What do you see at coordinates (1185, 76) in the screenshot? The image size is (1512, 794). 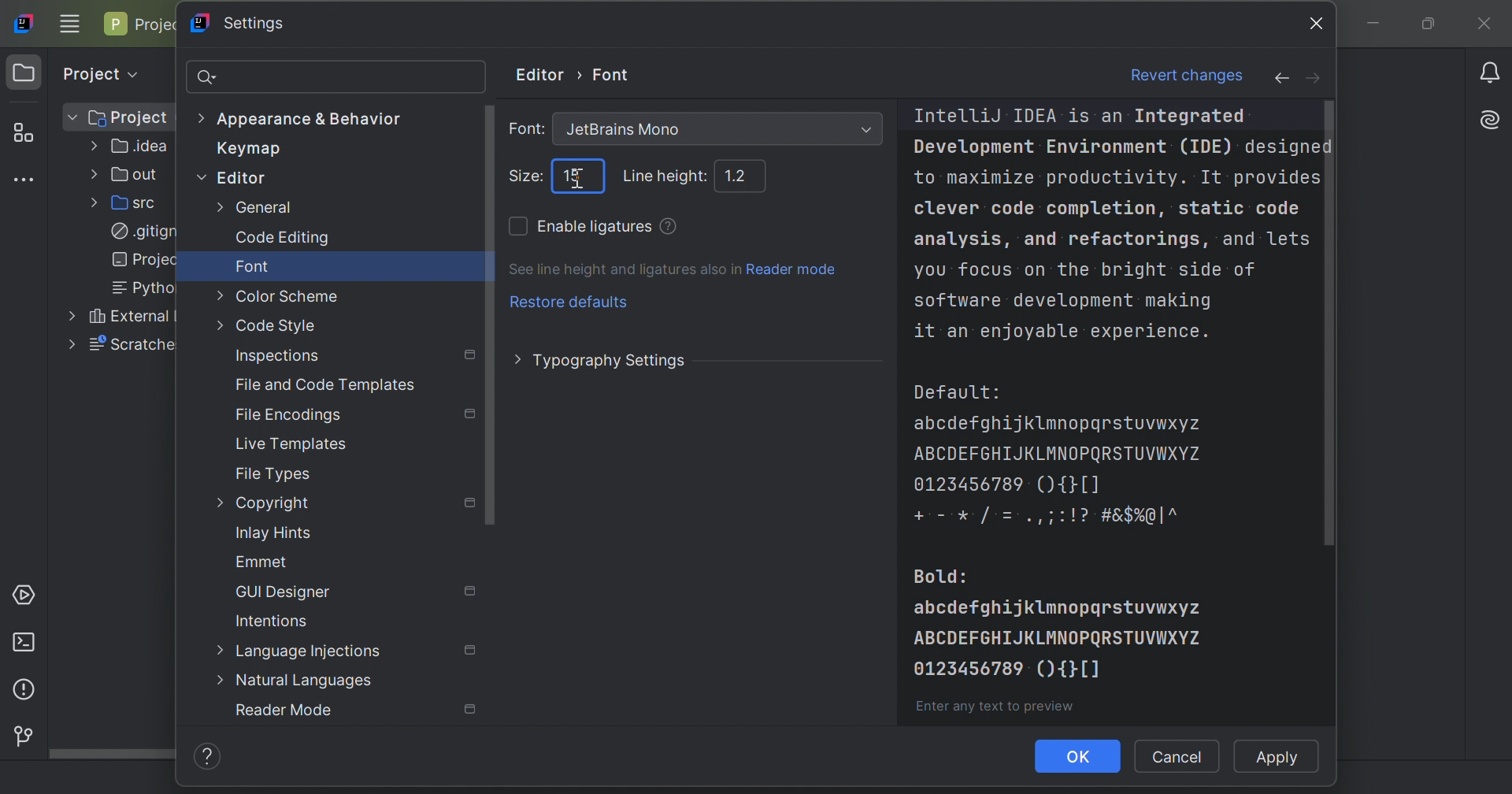 I see `Revert changes` at bounding box center [1185, 76].